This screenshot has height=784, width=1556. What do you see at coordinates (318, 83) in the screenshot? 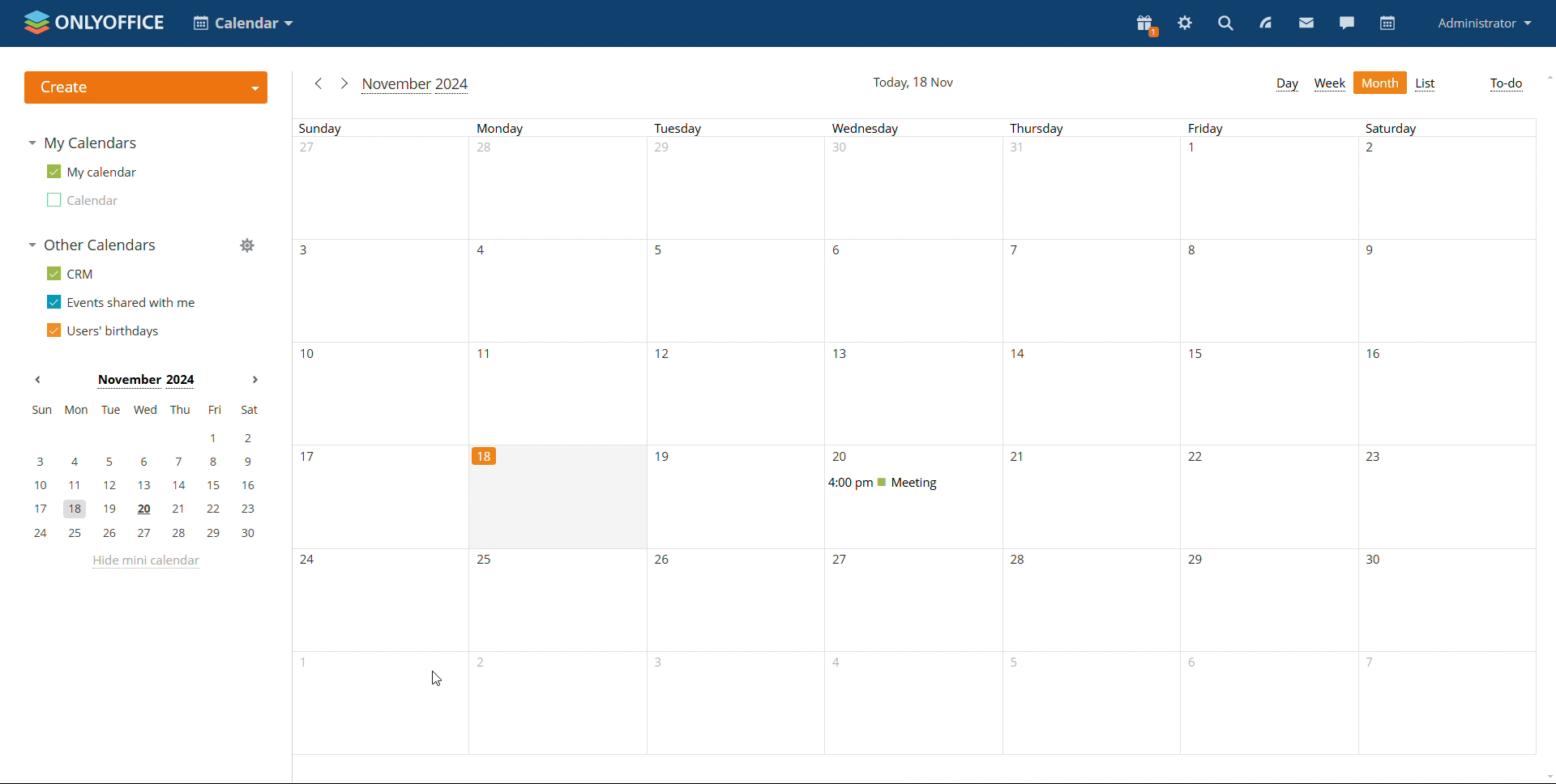
I see `previous month` at bounding box center [318, 83].